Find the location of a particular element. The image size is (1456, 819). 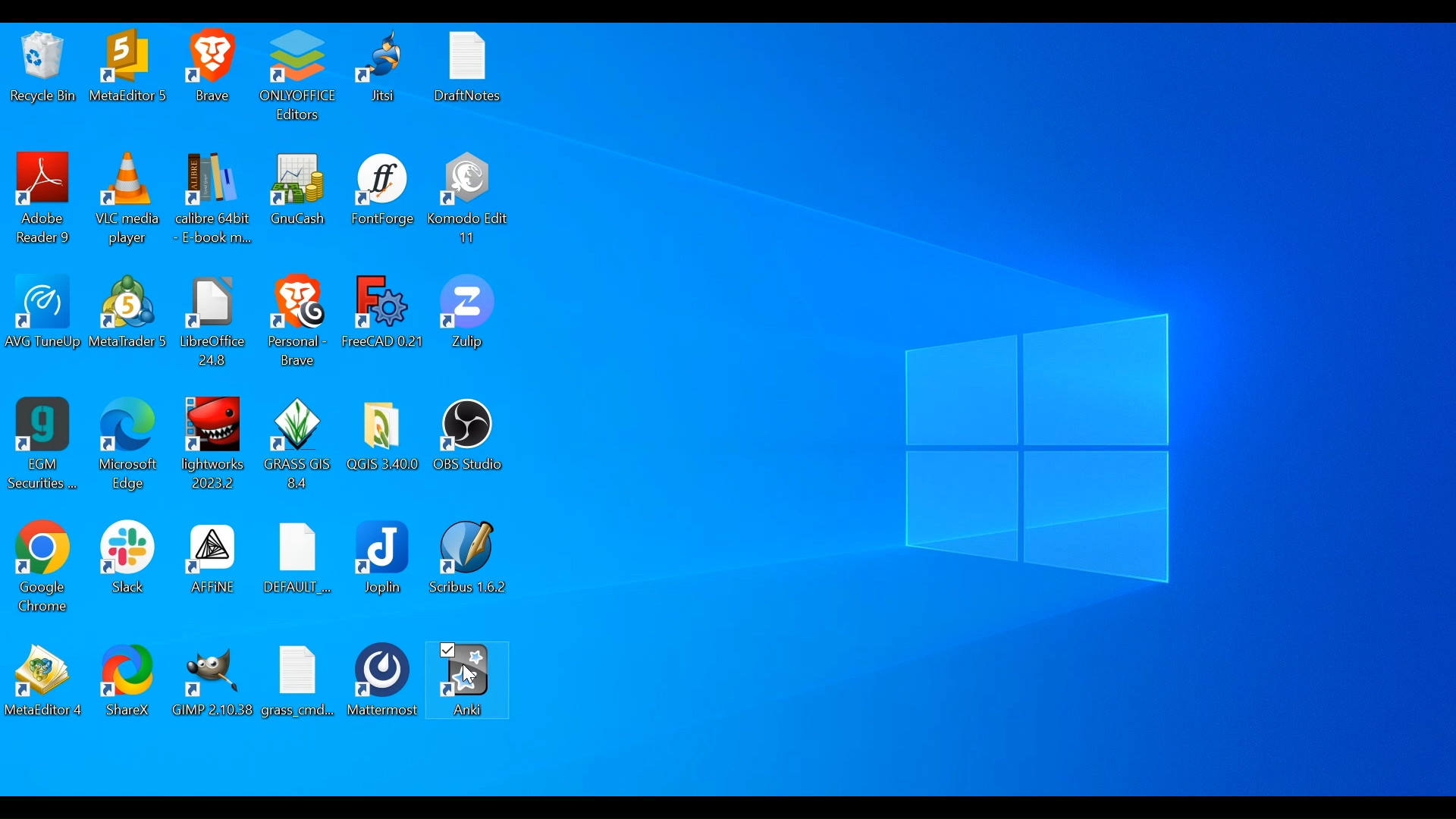

Slack is located at coordinates (129, 557).